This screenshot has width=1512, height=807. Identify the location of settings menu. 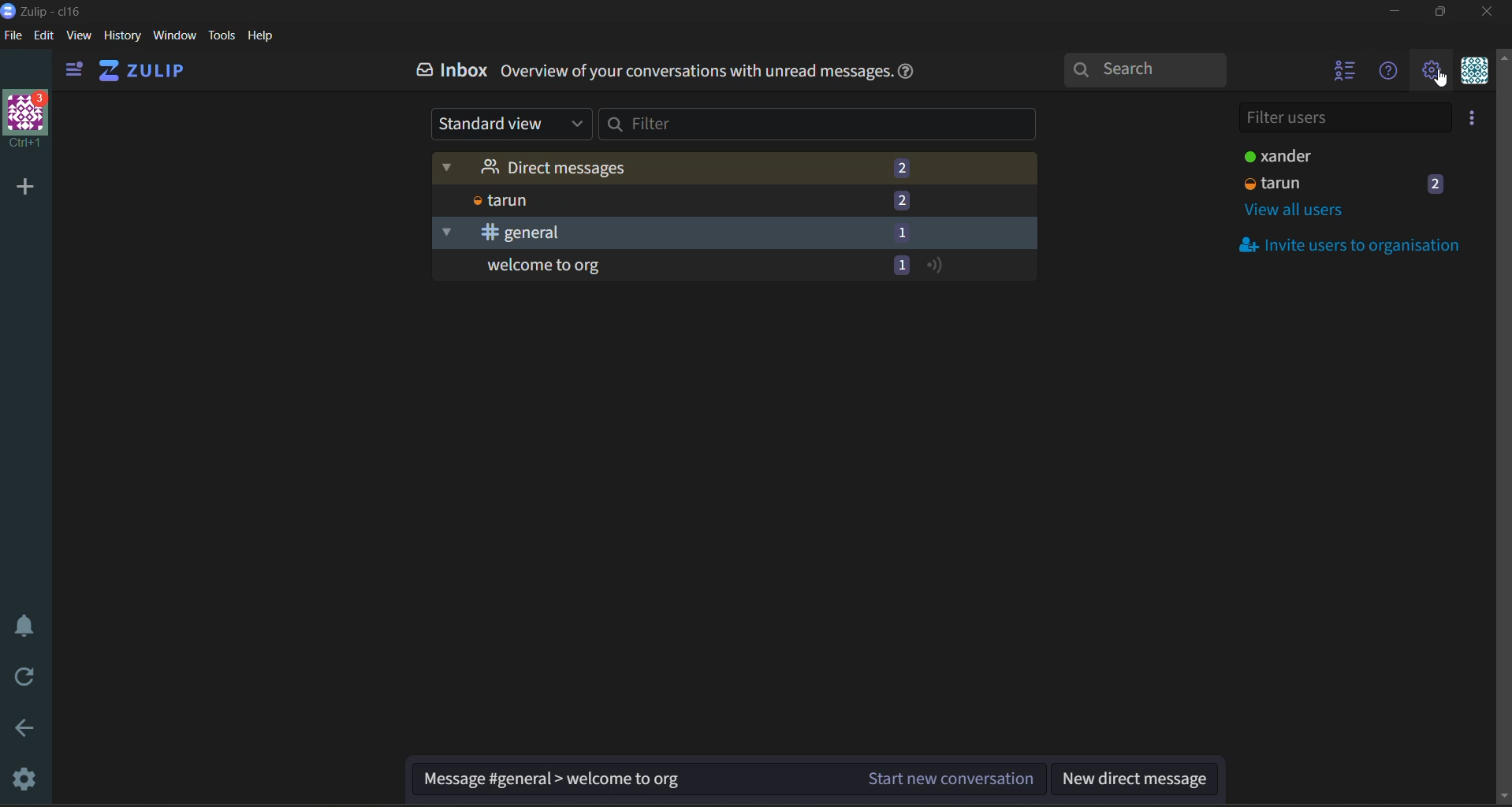
(1431, 72).